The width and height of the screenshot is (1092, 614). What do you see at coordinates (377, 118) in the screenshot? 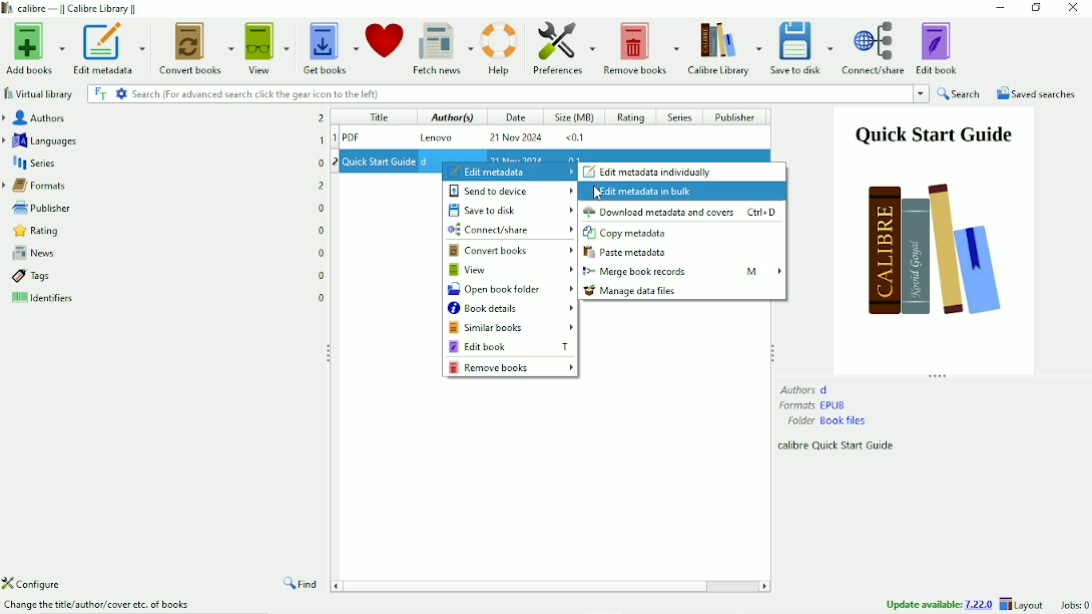
I see `Title` at bounding box center [377, 118].